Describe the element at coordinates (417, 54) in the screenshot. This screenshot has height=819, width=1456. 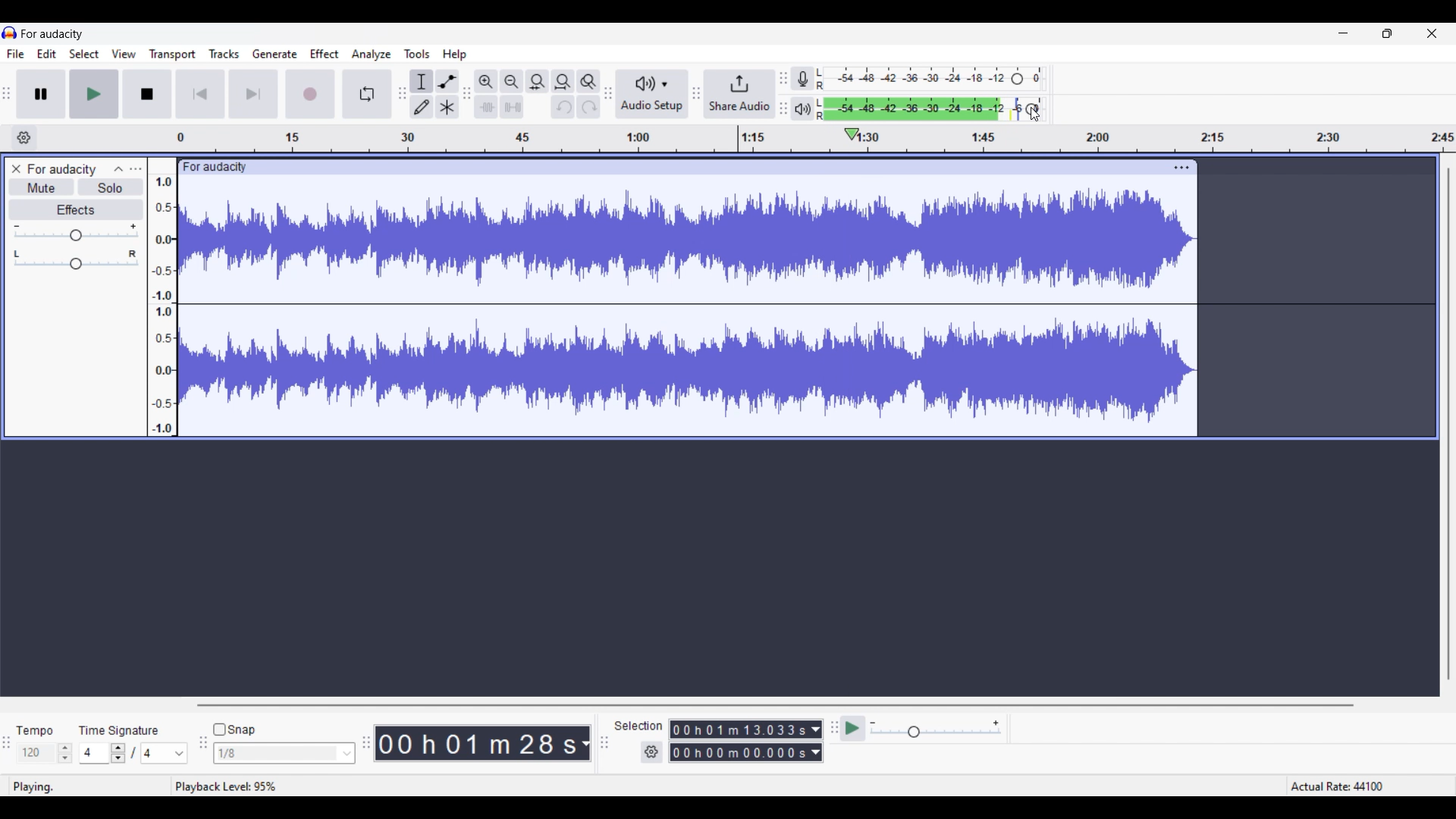
I see `Tools menu` at that location.